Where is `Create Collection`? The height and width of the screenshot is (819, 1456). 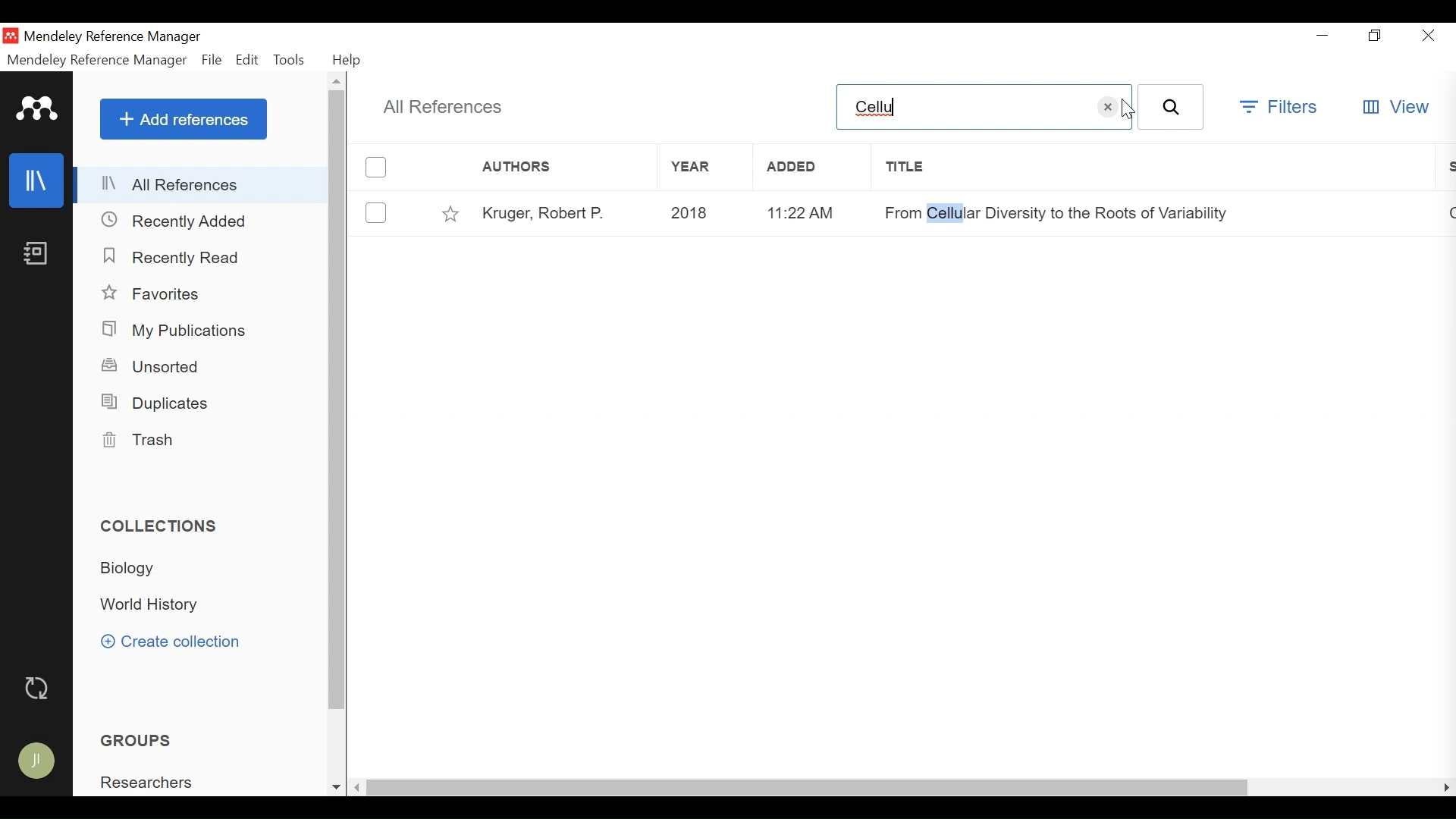 Create Collection is located at coordinates (170, 643).